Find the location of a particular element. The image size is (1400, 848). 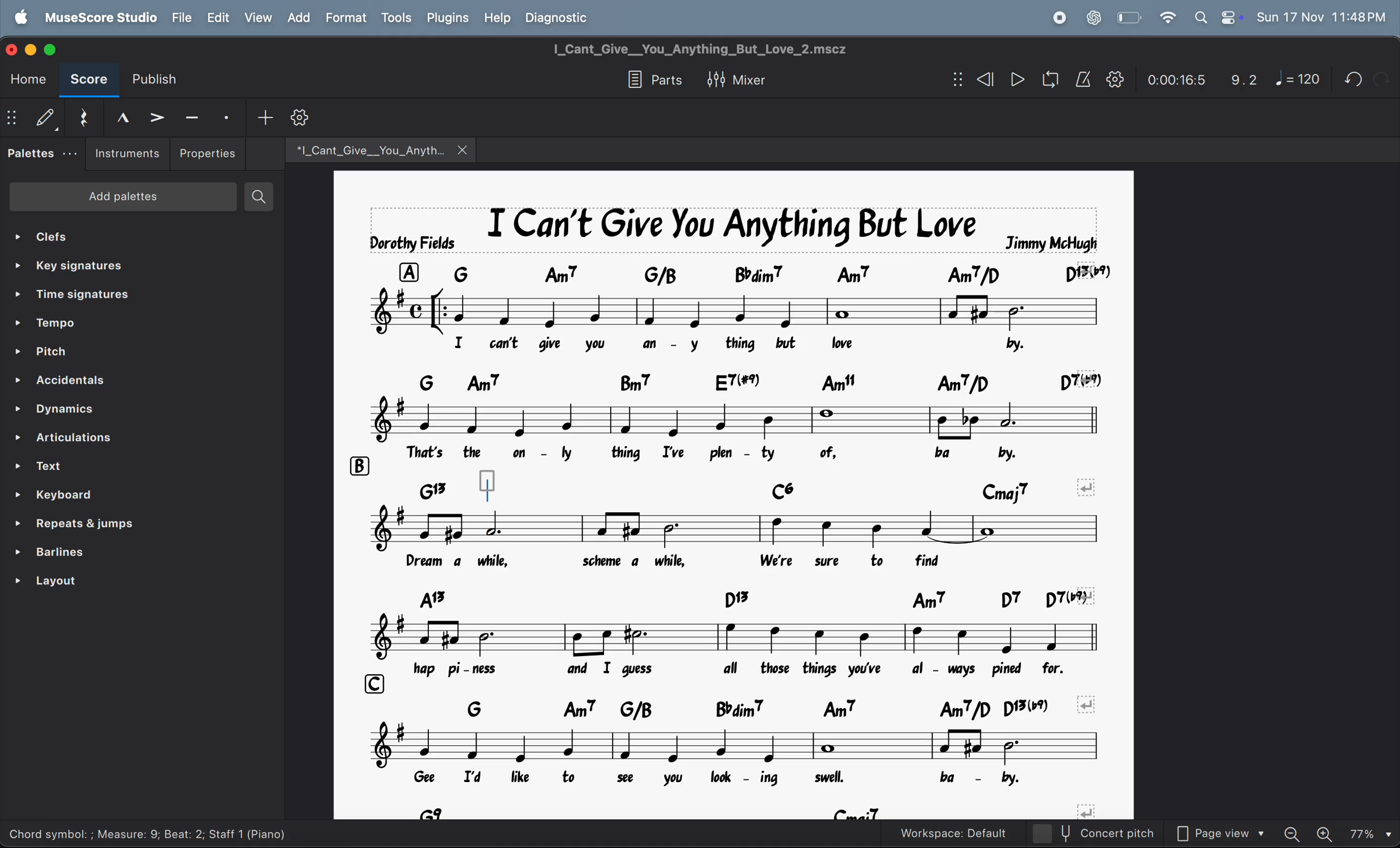

tenuto is located at coordinates (195, 116).